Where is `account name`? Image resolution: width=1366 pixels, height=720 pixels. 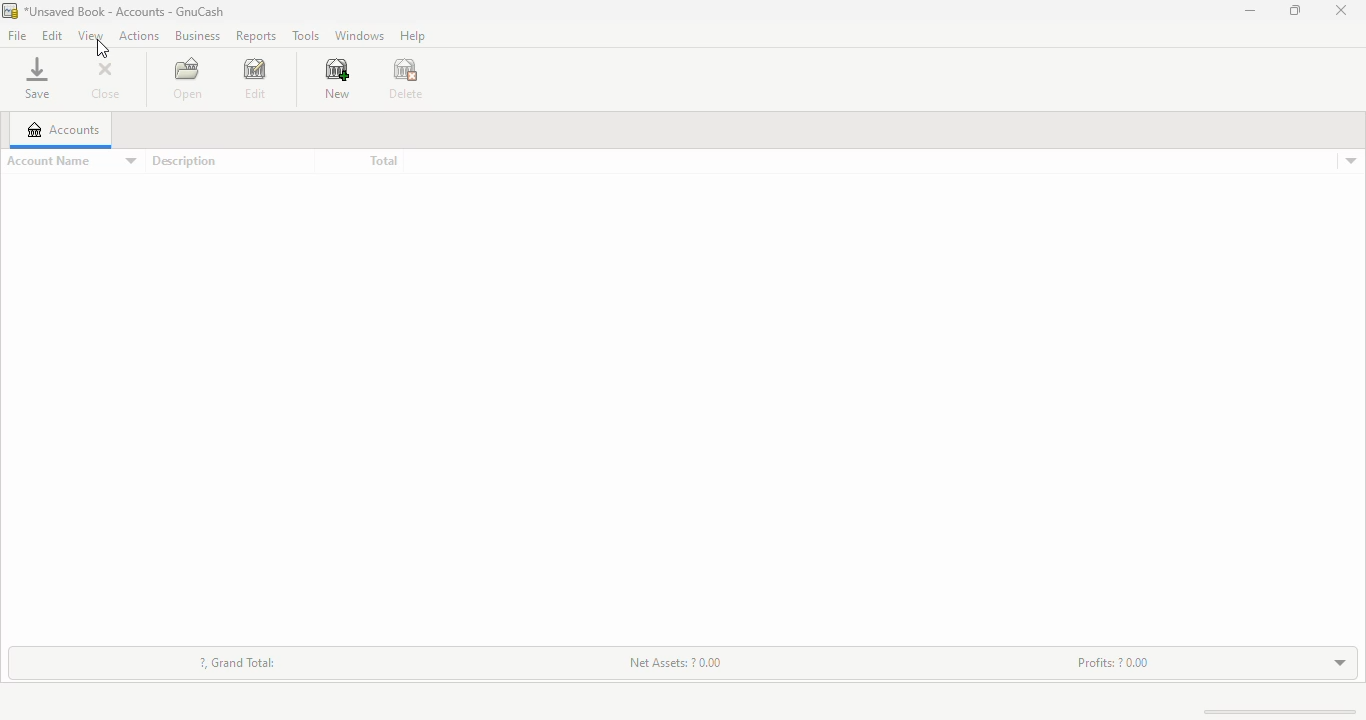 account name is located at coordinates (71, 161).